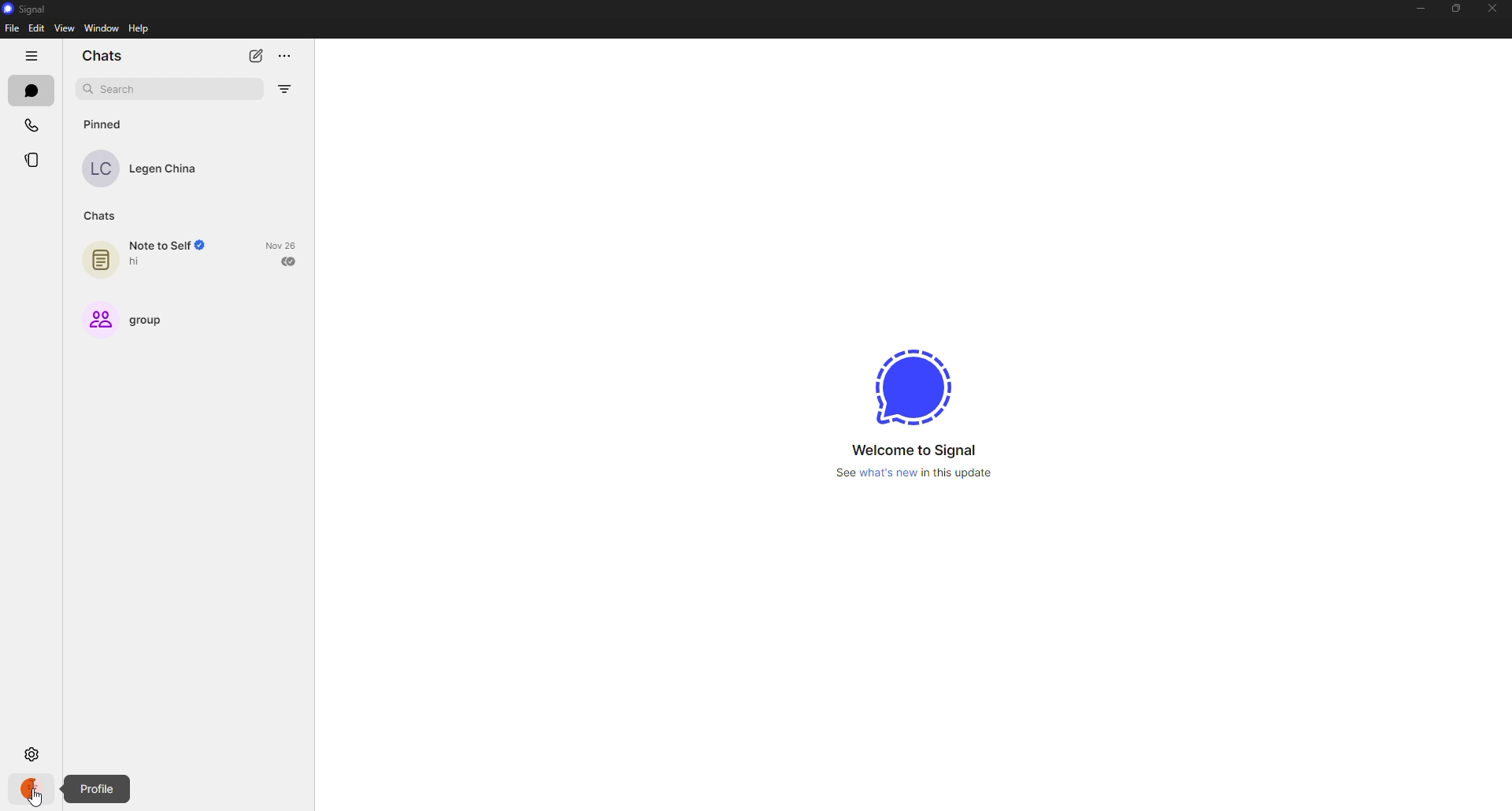 The width and height of the screenshot is (1512, 811). I want to click on edit, so click(36, 28).